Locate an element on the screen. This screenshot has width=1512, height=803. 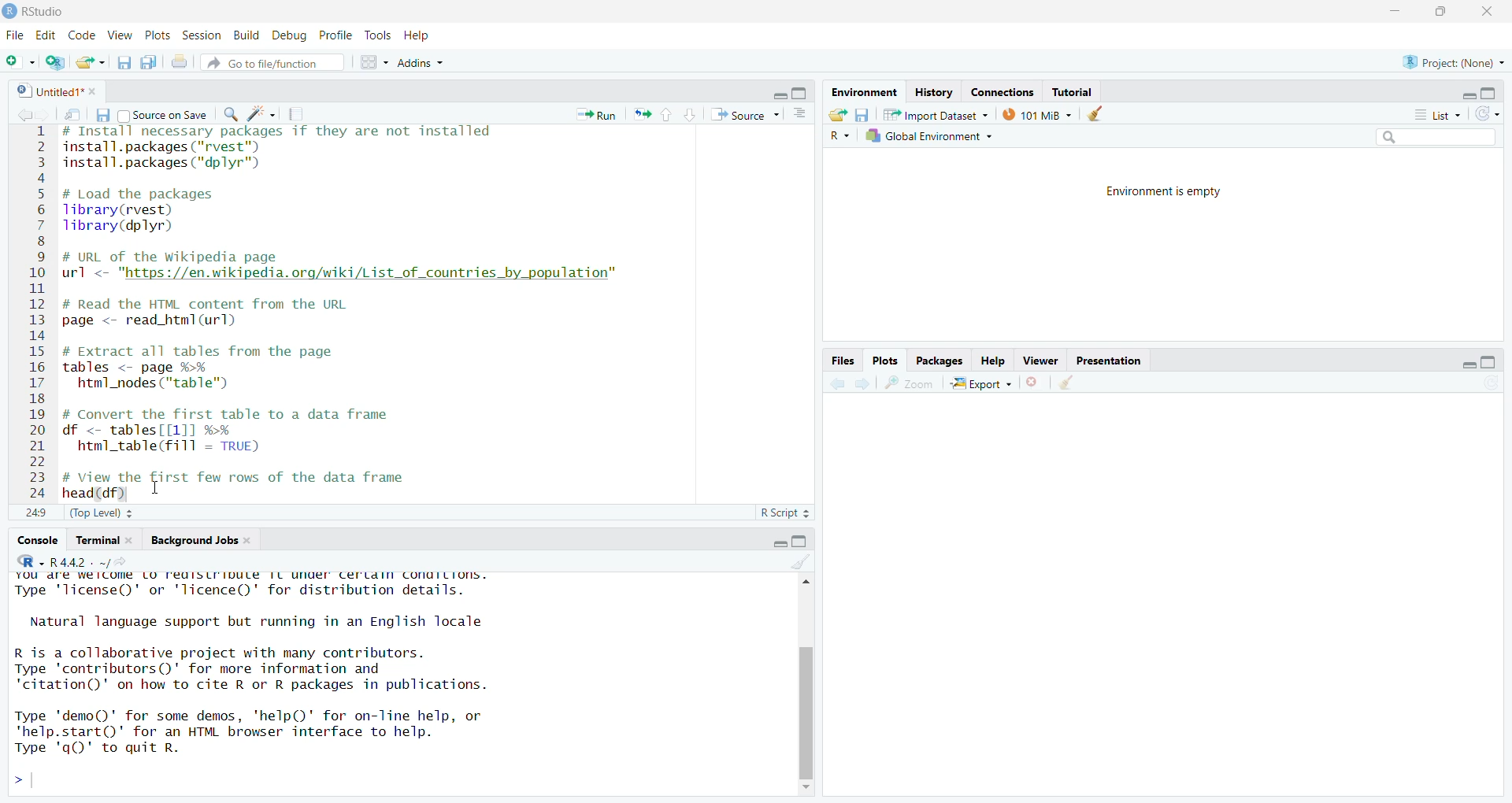
Files is located at coordinates (843, 361).